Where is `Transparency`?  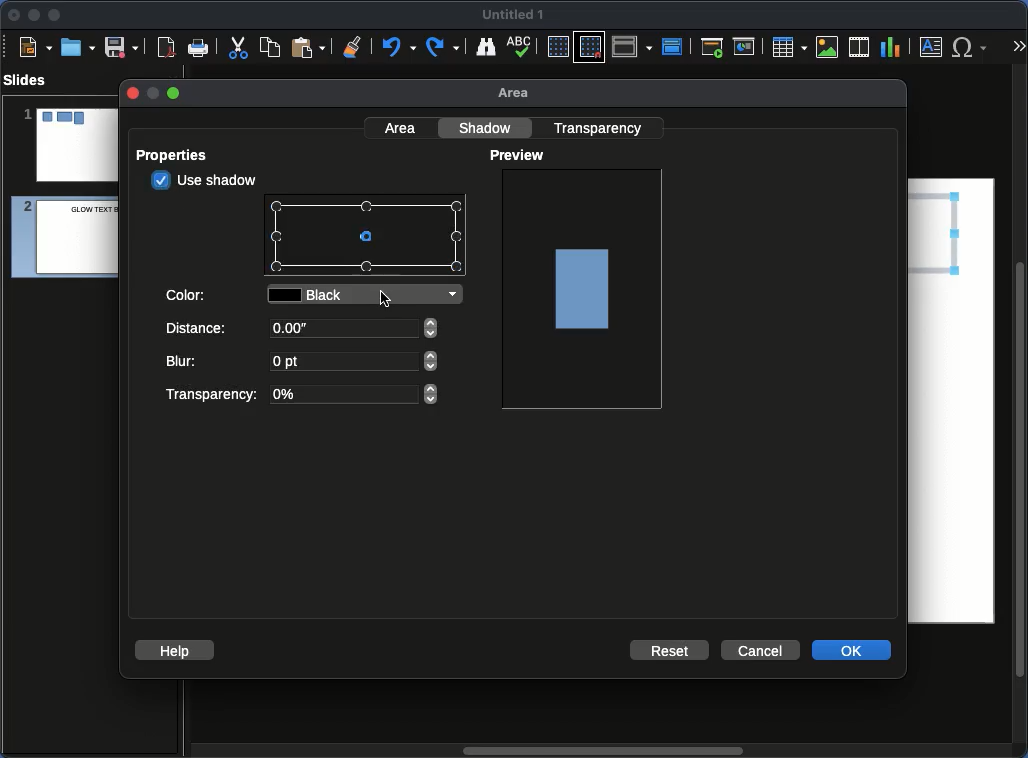 Transparency is located at coordinates (601, 127).